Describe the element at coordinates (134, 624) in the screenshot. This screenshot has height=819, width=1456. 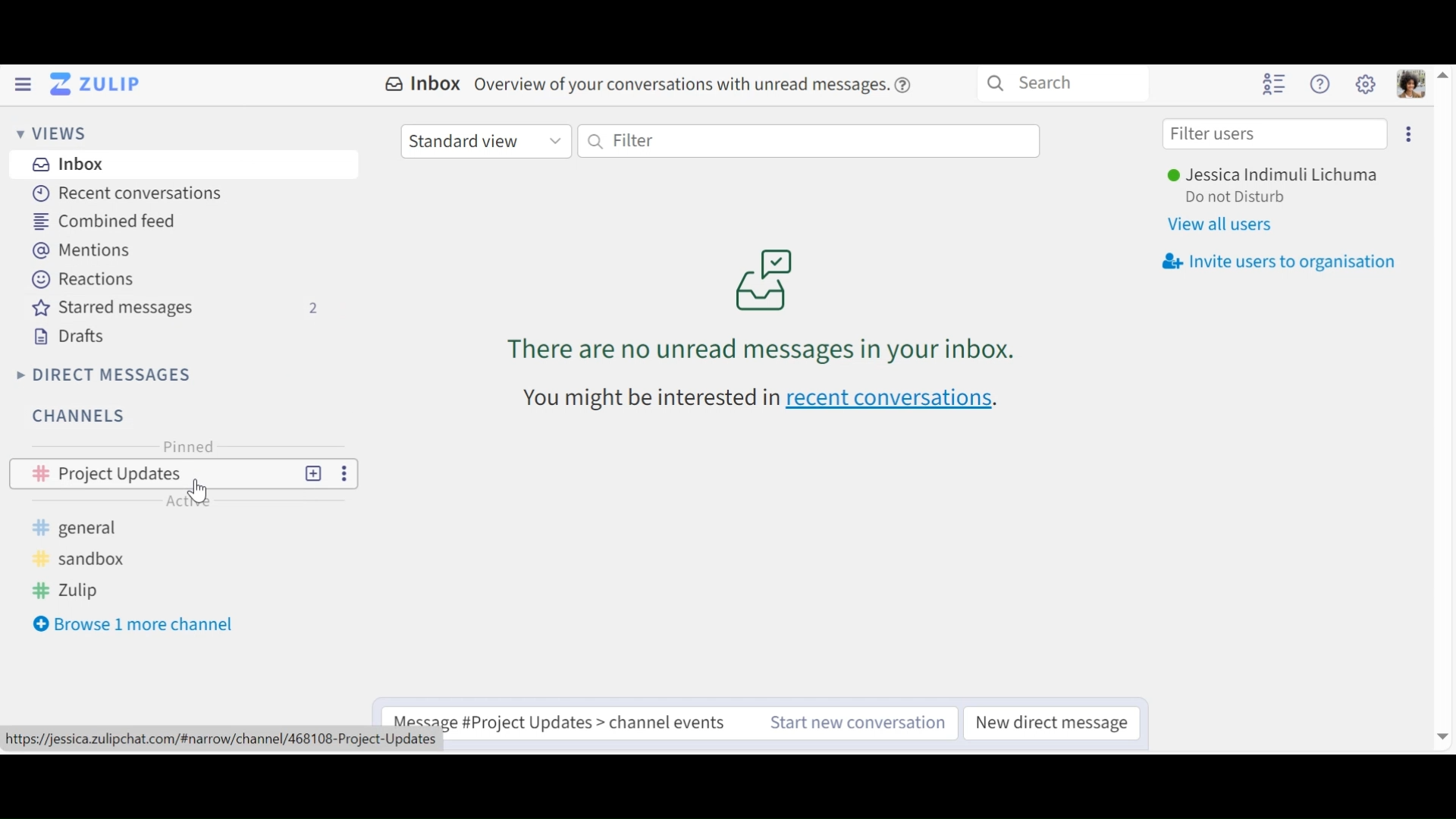
I see `Browser 1 more channel` at that location.